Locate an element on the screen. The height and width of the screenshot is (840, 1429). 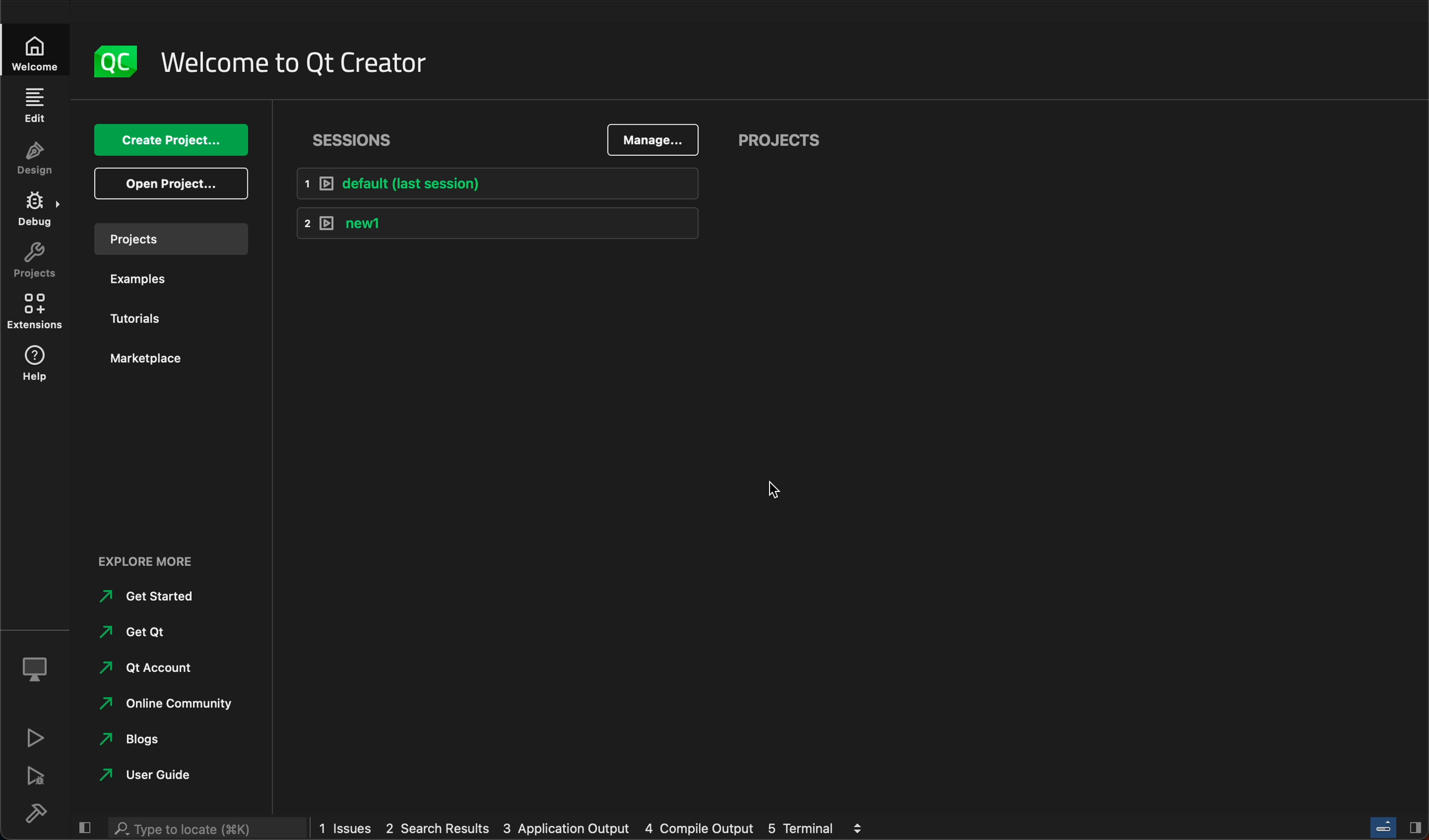
debug is located at coordinates (40, 778).